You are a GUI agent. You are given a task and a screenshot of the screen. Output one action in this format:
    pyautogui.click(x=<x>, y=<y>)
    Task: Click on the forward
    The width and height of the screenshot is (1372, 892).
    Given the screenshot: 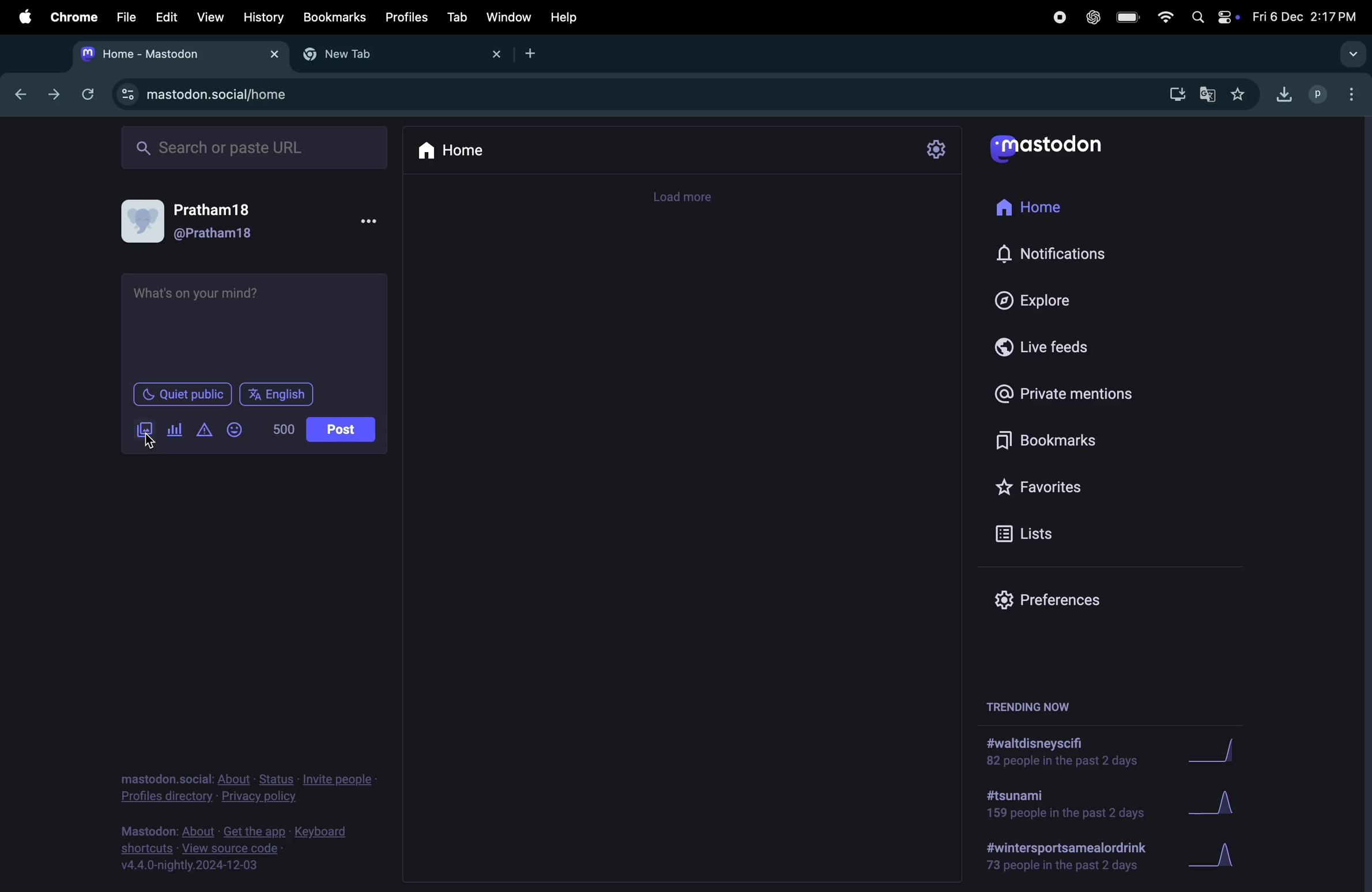 What is the action you would take?
    pyautogui.click(x=54, y=94)
    